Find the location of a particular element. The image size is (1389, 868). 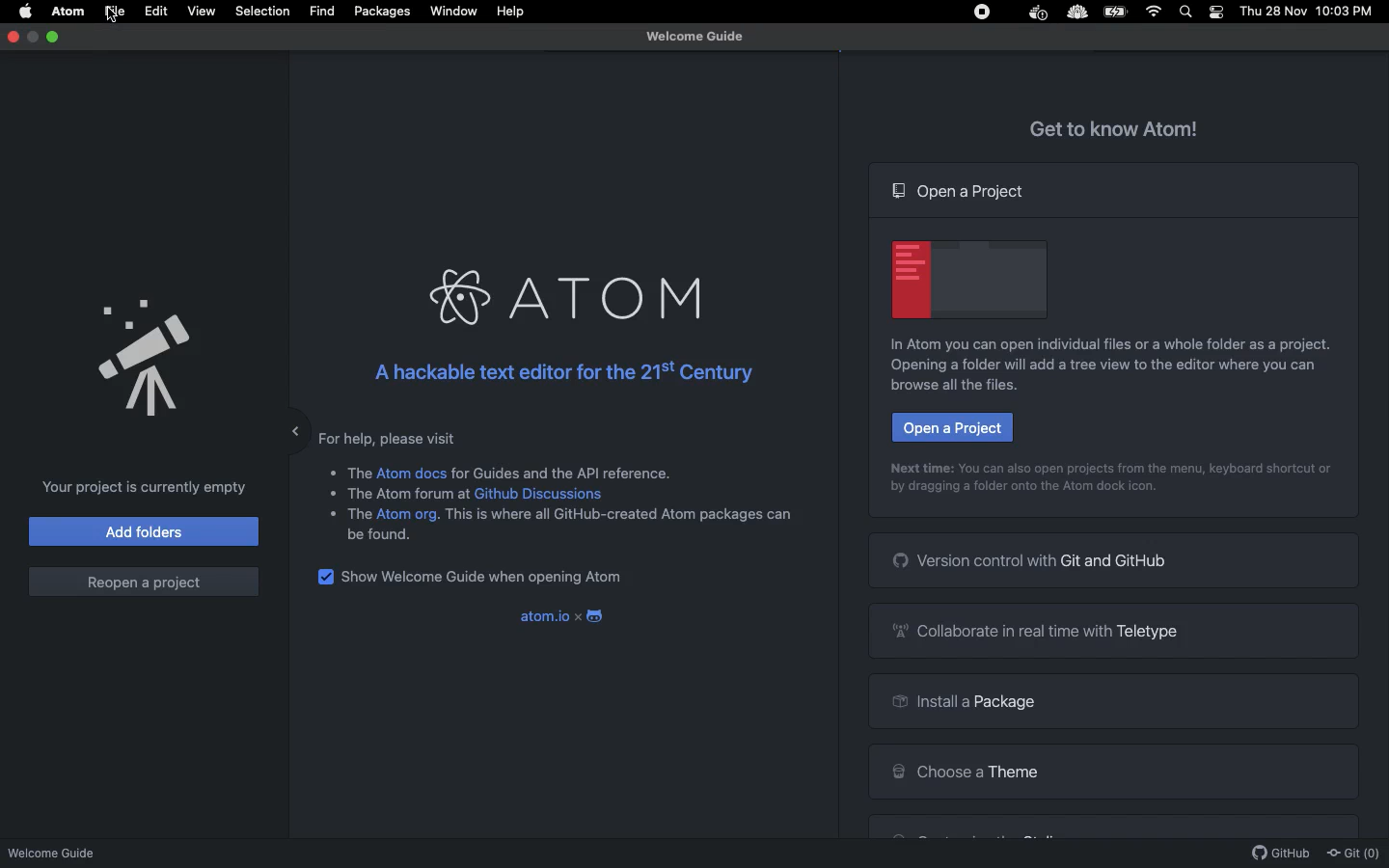

Selection is located at coordinates (262, 12).